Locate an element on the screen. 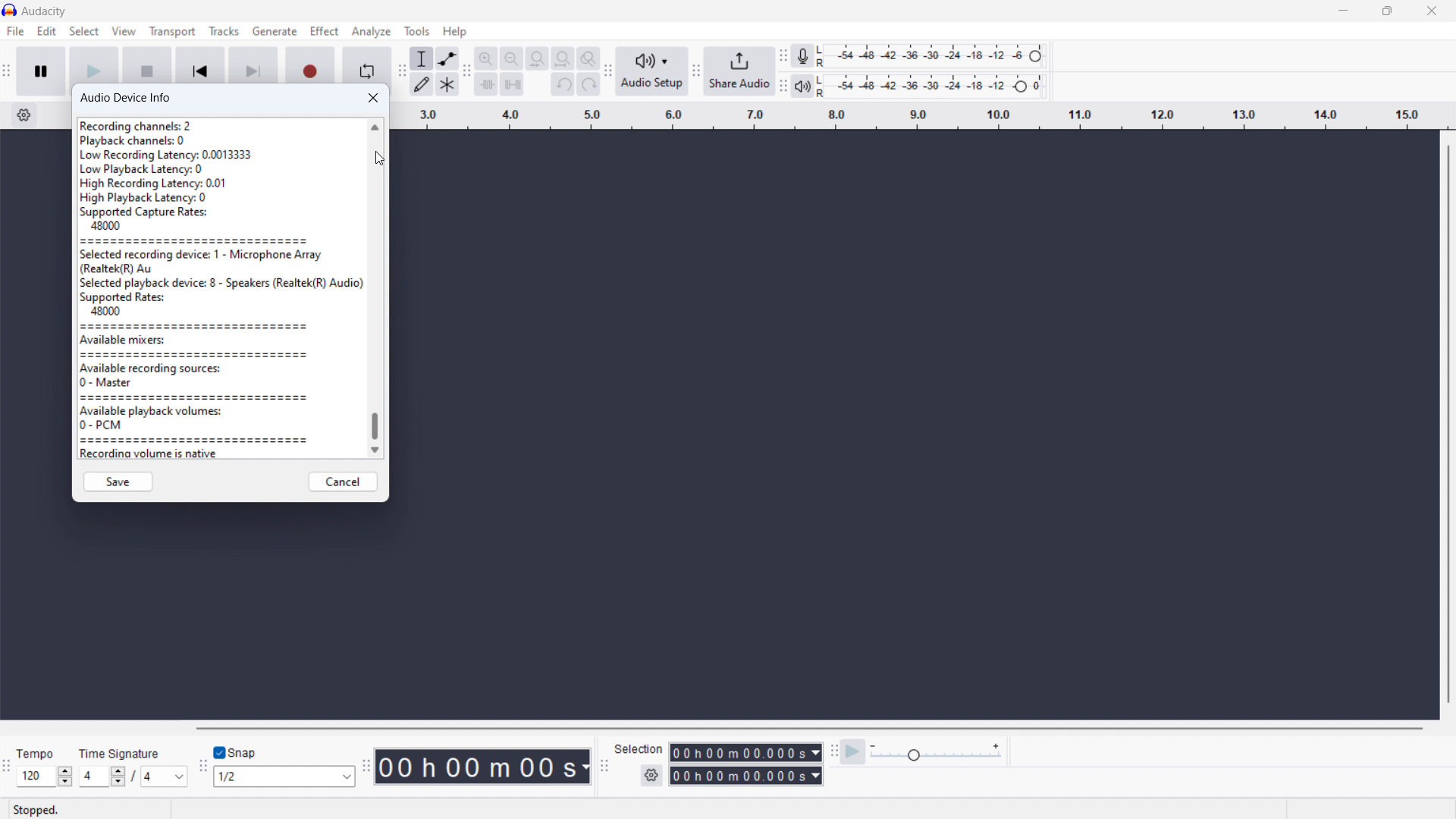  undo is located at coordinates (563, 84).